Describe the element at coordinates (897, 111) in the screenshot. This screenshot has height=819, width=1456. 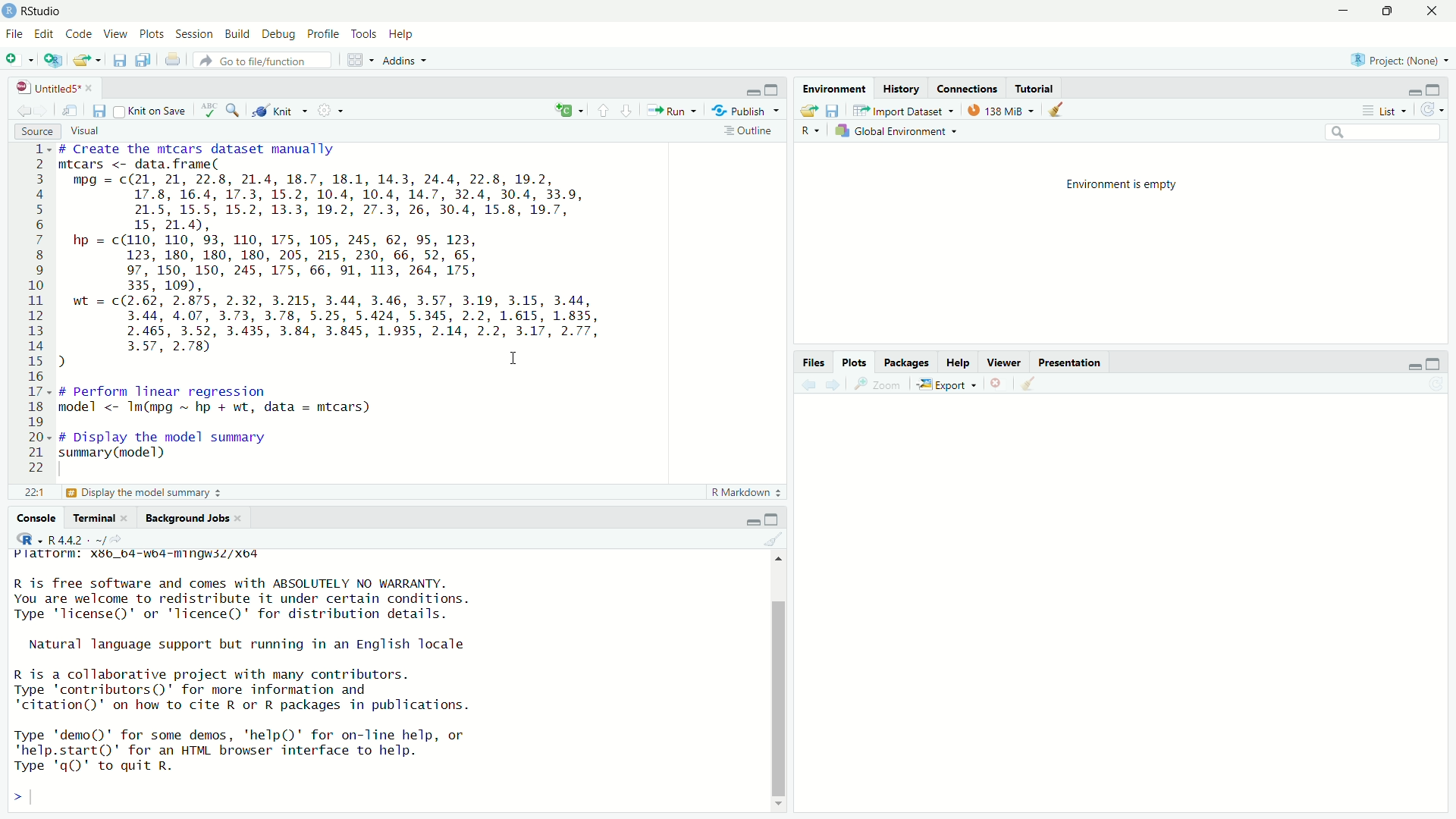
I see `import dataset` at that location.